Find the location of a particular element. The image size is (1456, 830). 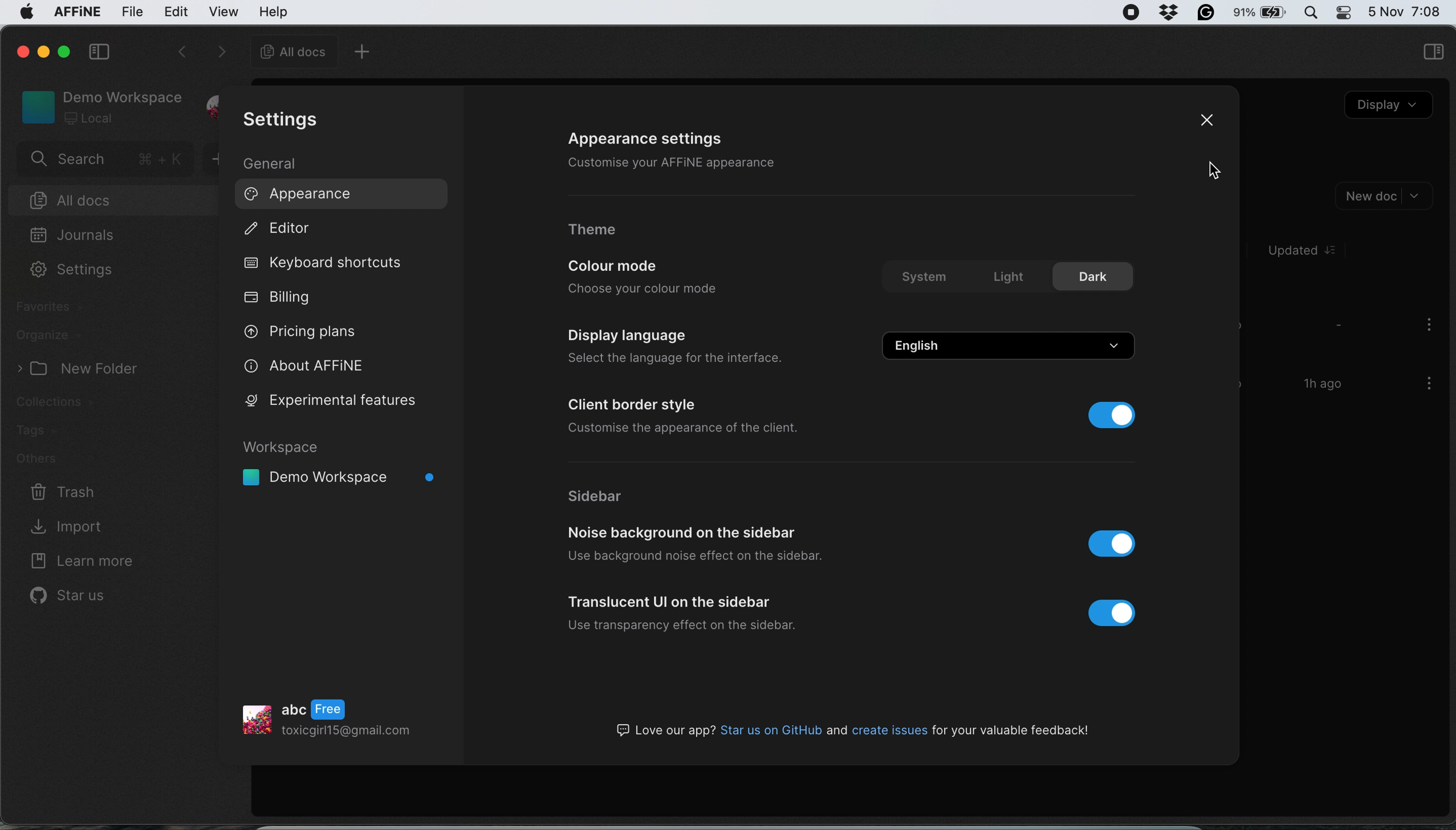

settings is located at coordinates (70, 270).